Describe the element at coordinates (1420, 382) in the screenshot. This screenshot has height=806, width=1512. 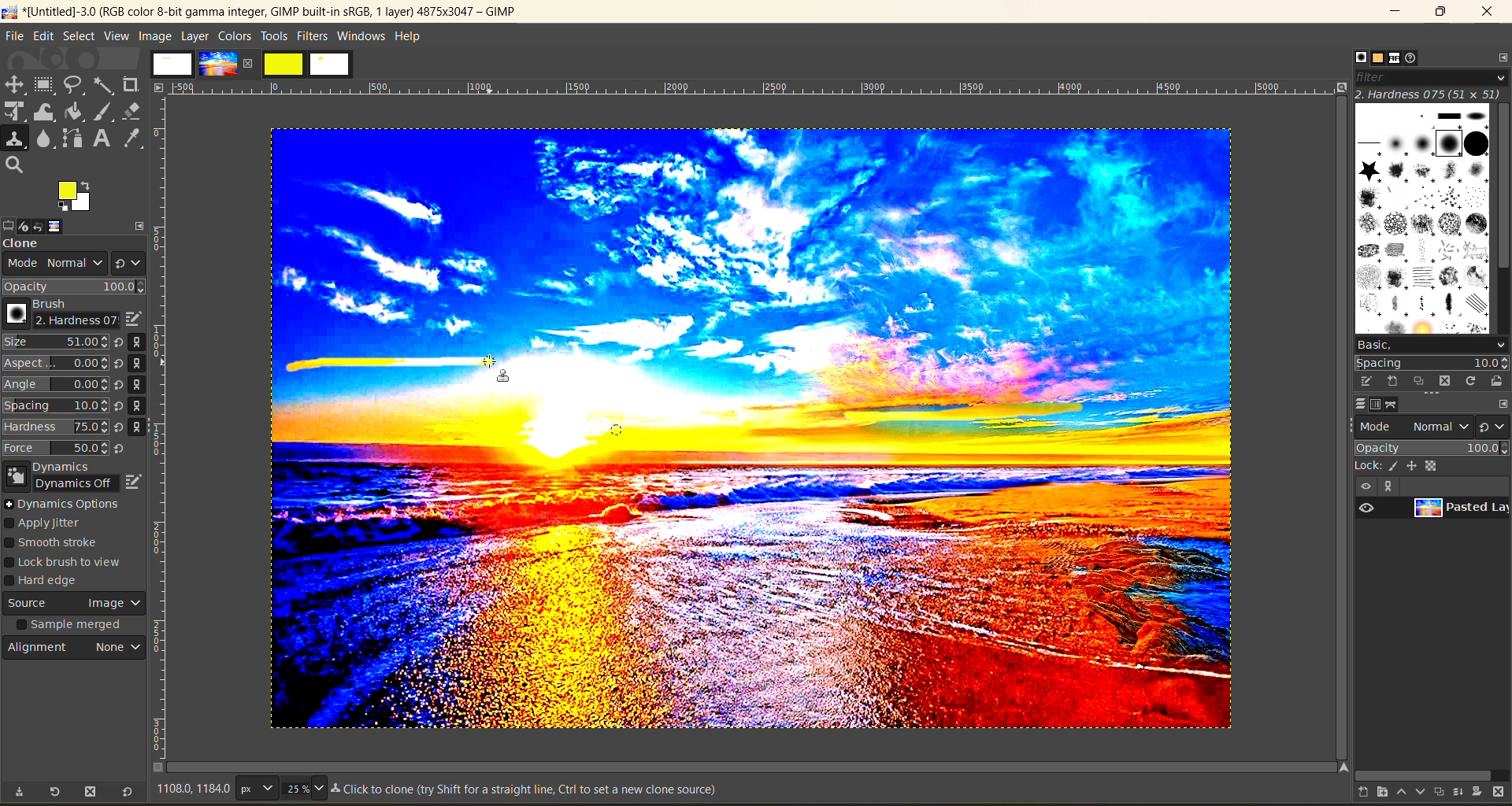
I see `duplicate this brush` at that location.